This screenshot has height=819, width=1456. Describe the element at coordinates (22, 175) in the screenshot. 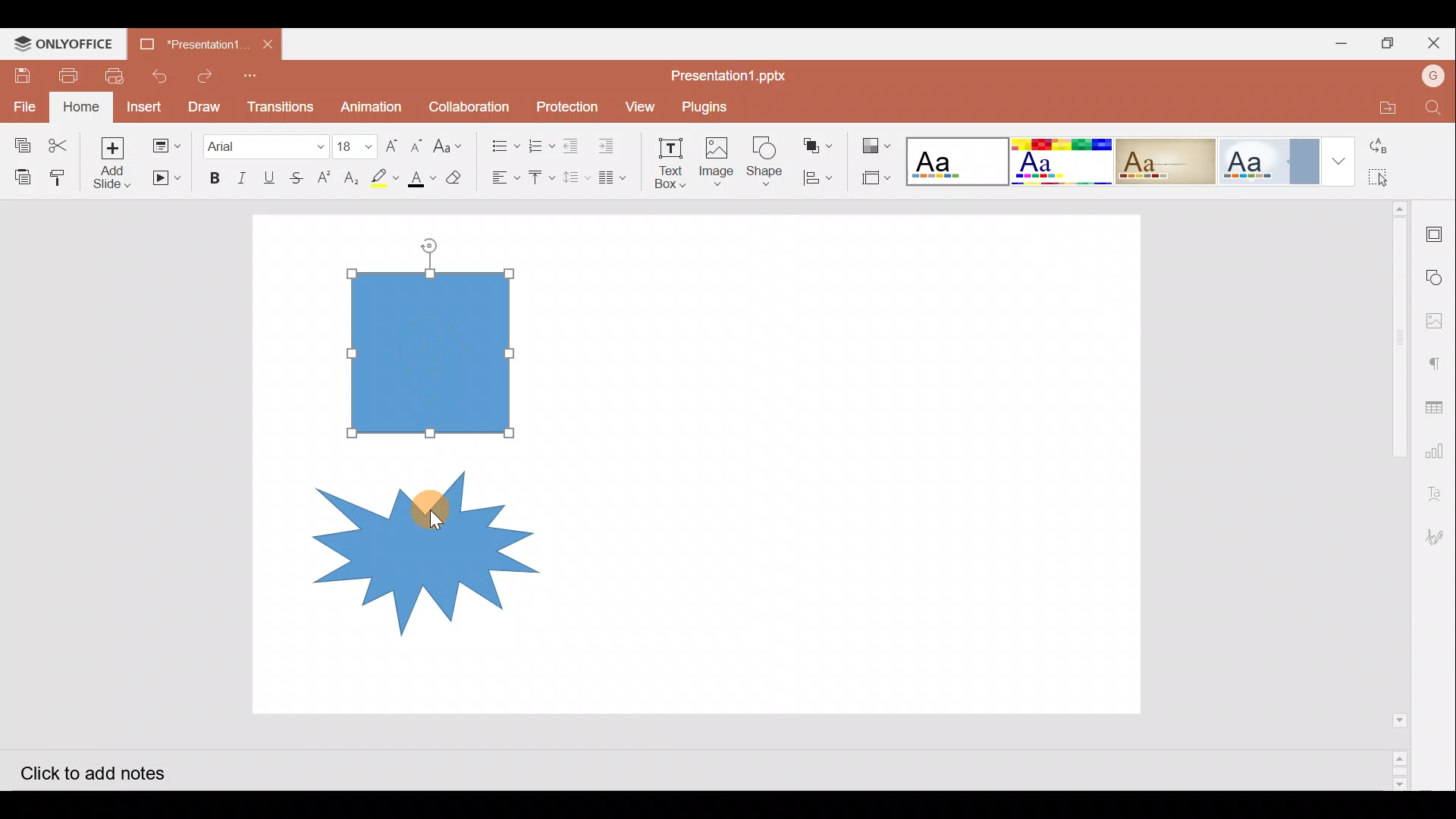

I see `Paste` at that location.